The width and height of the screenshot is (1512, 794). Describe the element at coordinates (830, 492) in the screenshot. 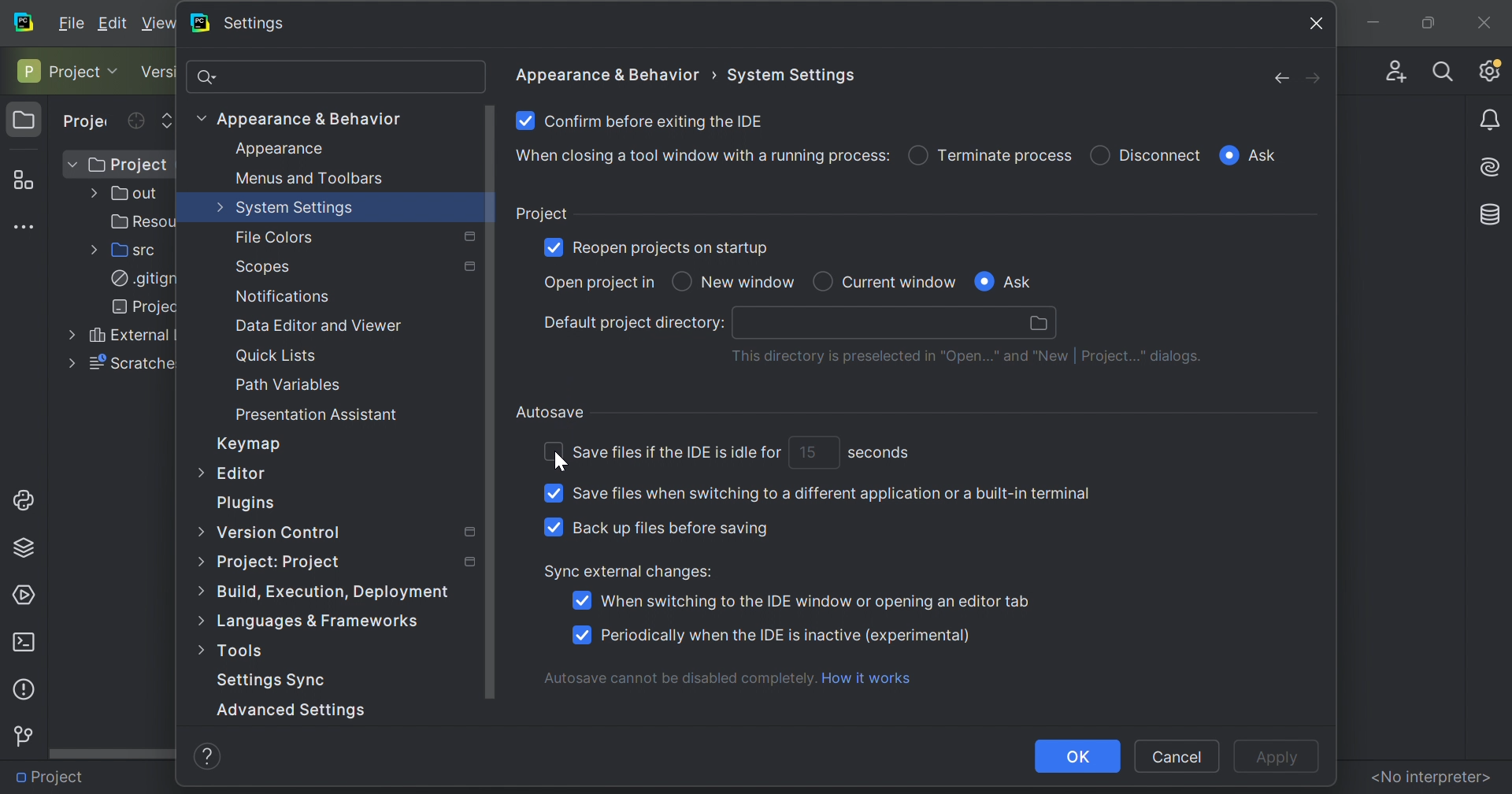

I see `Save files when switching to different application or a built-in terminal` at that location.